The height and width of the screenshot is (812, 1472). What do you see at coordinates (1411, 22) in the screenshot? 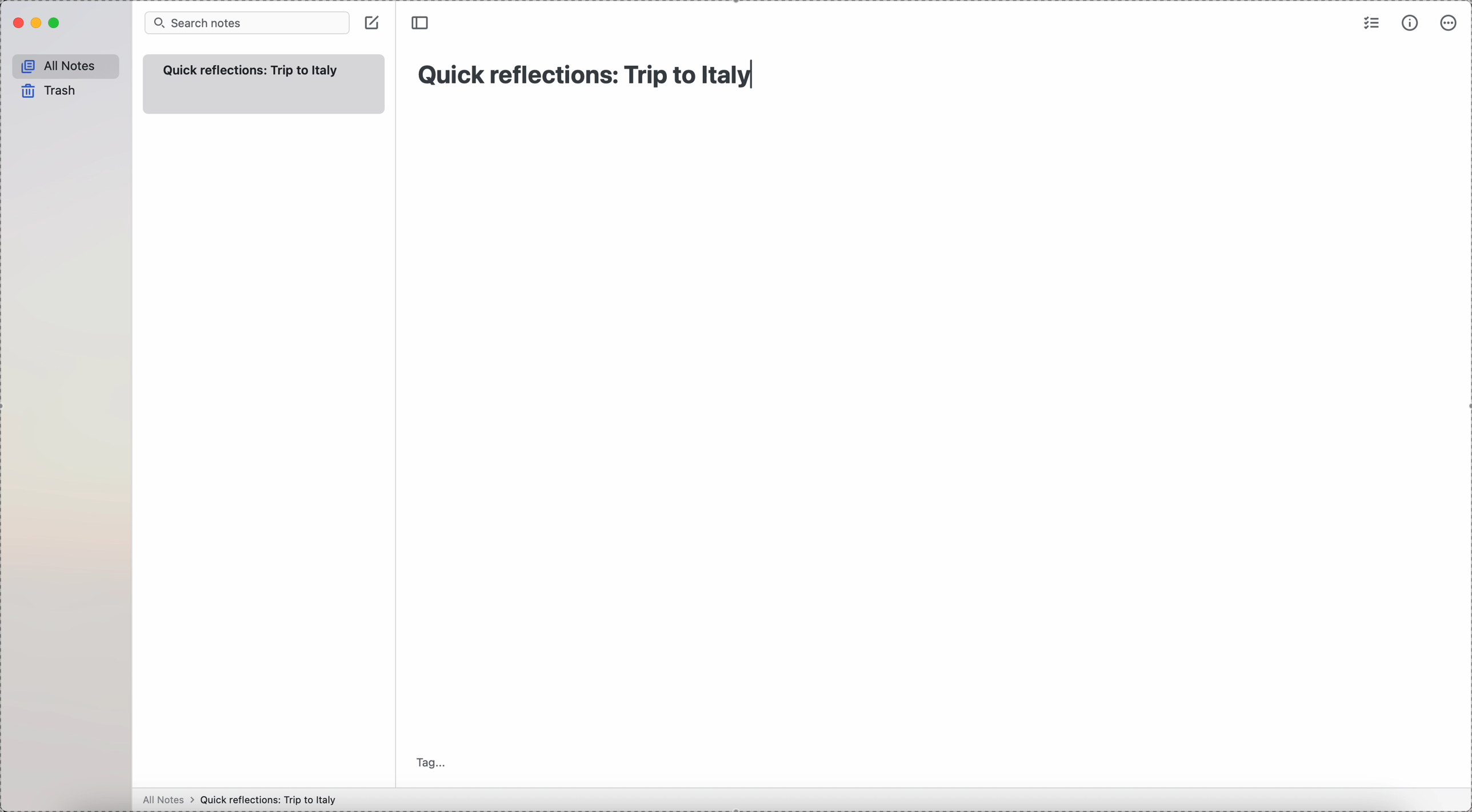
I see `metrics` at bounding box center [1411, 22].